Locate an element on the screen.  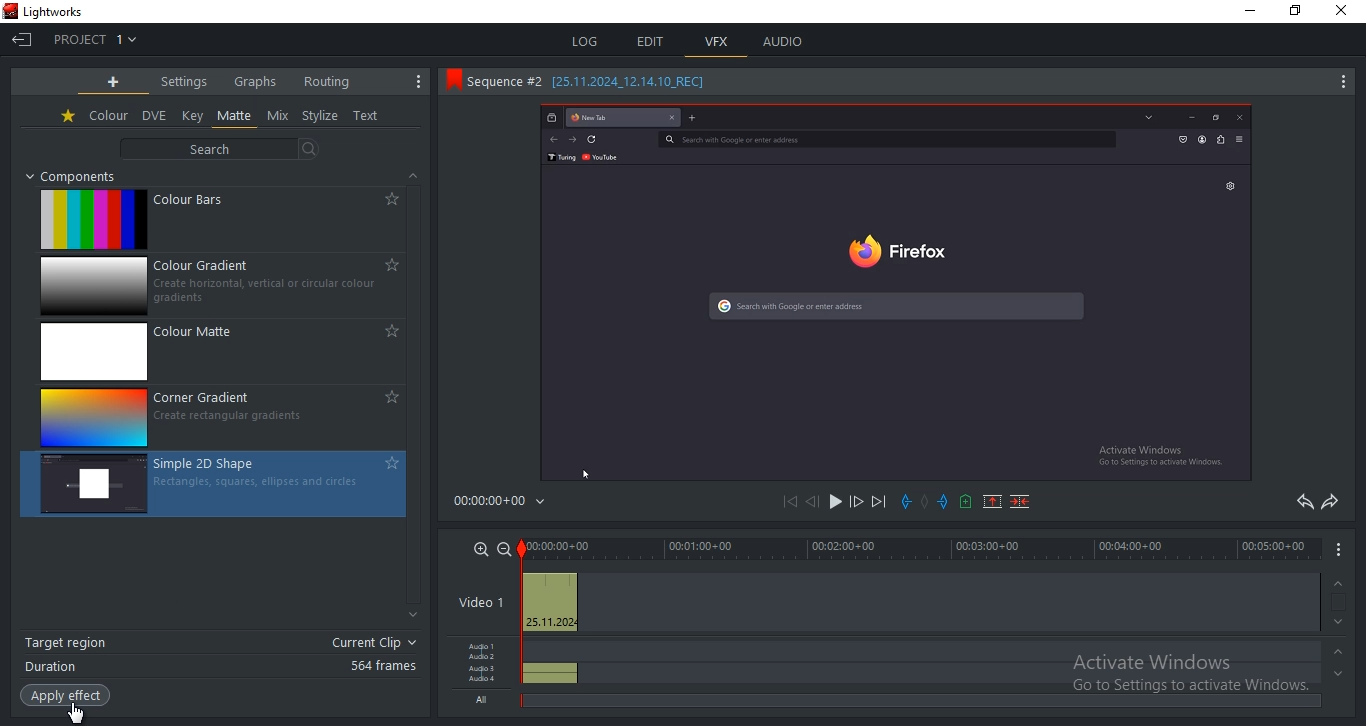
key is located at coordinates (193, 115).